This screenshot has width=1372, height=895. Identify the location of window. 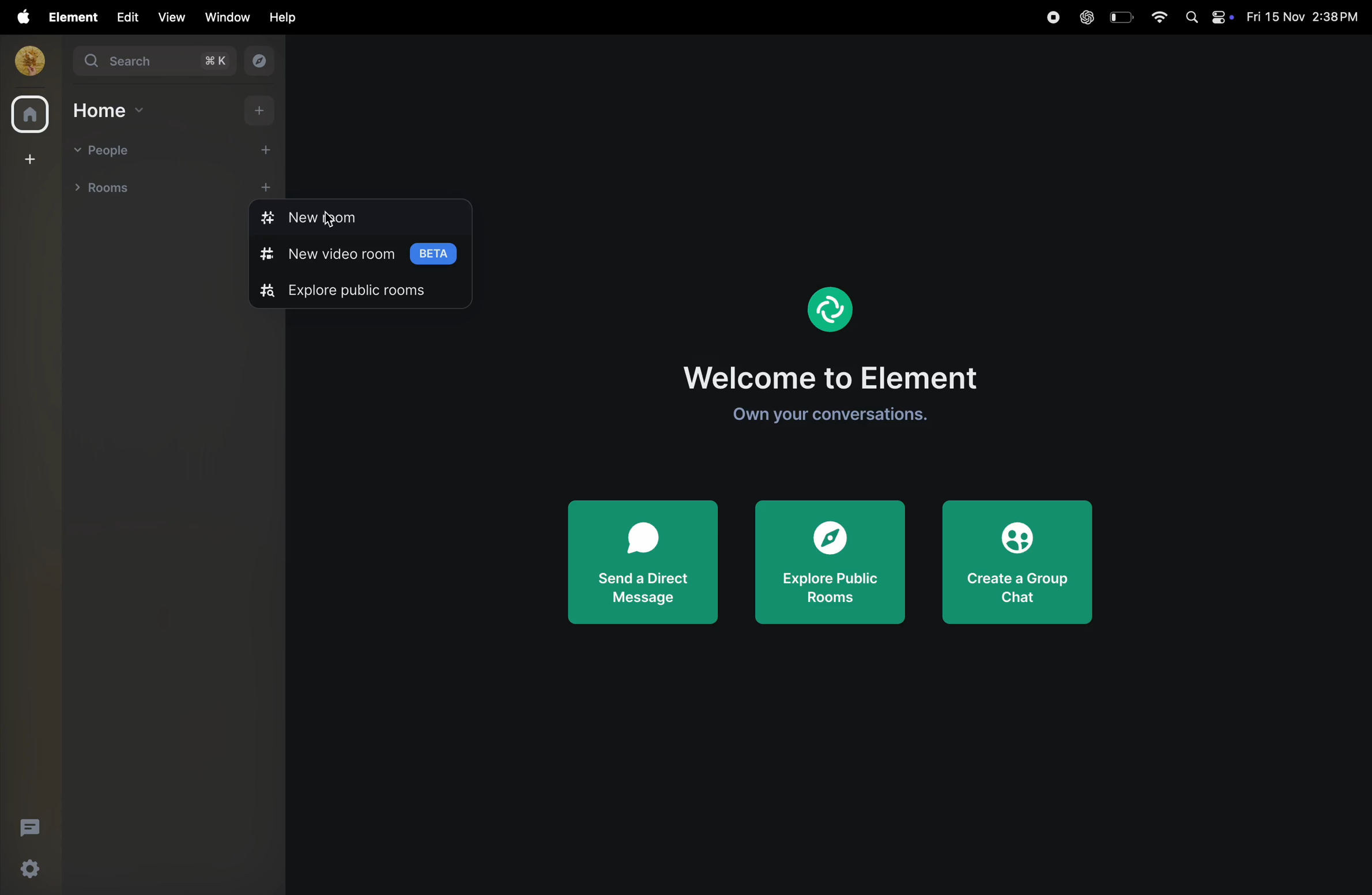
(228, 17).